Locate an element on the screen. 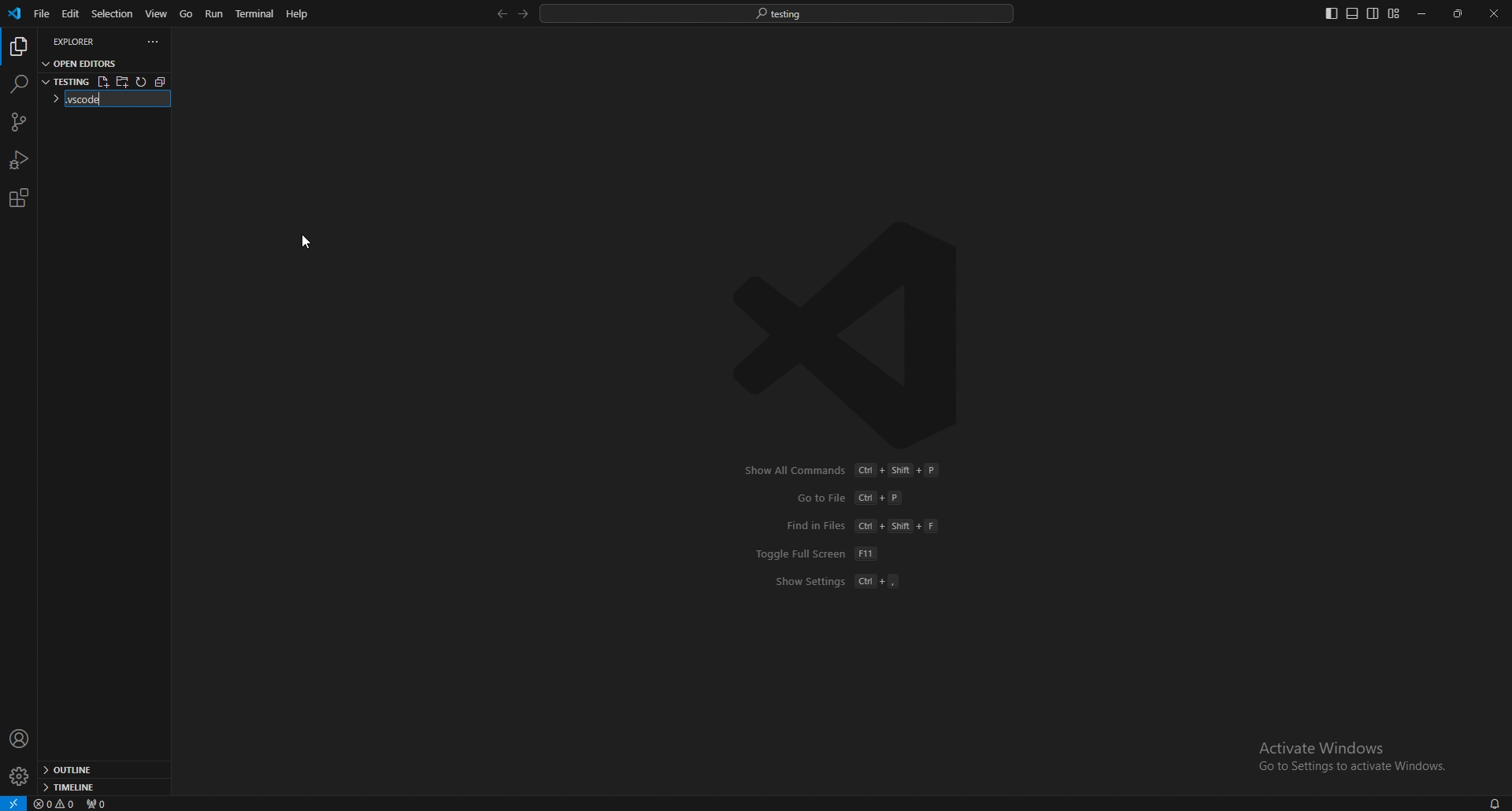  folder name is located at coordinates (94, 101).